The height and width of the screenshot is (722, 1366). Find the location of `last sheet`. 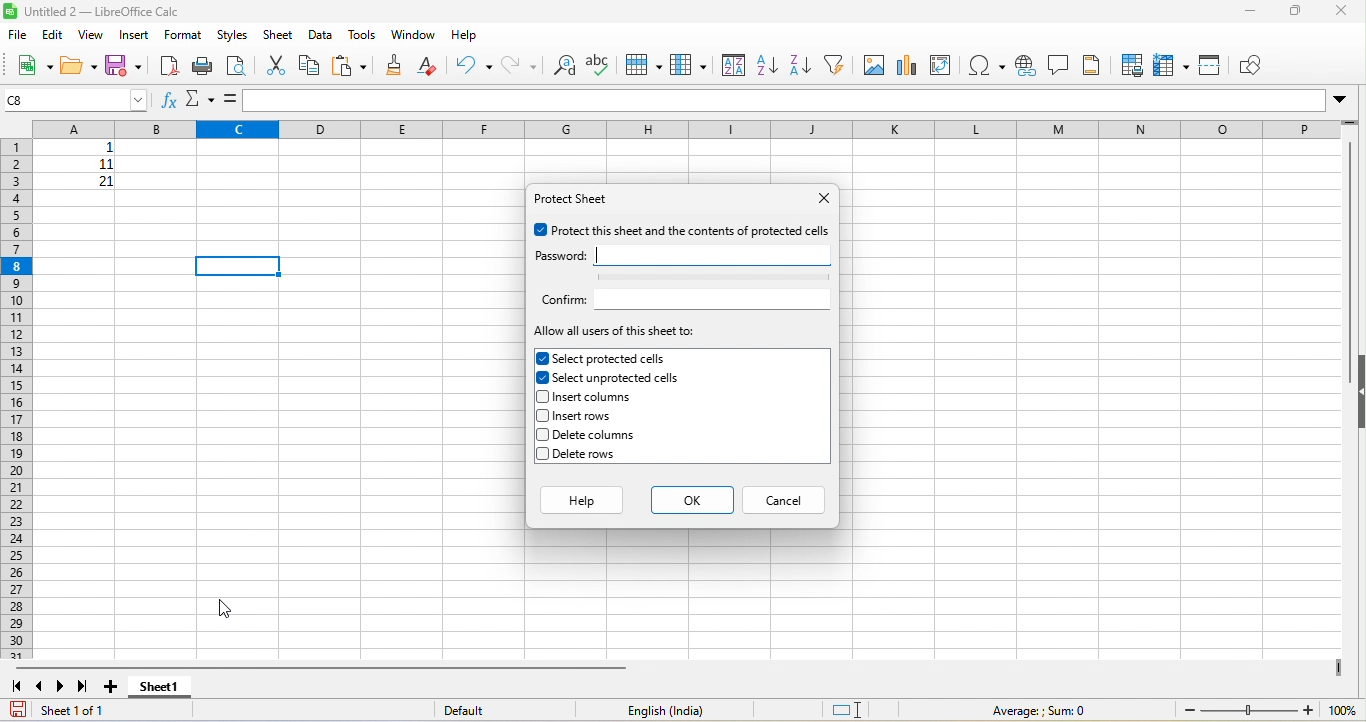

last sheet is located at coordinates (85, 686).